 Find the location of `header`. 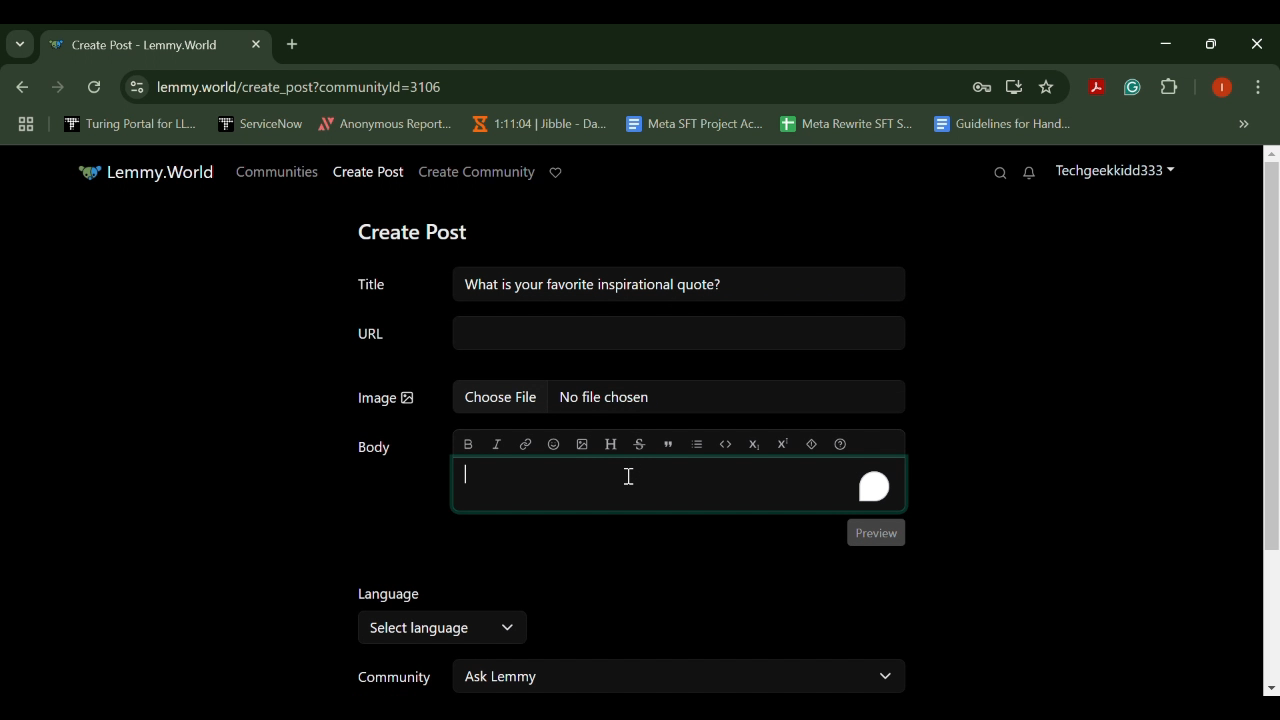

header is located at coordinates (610, 444).